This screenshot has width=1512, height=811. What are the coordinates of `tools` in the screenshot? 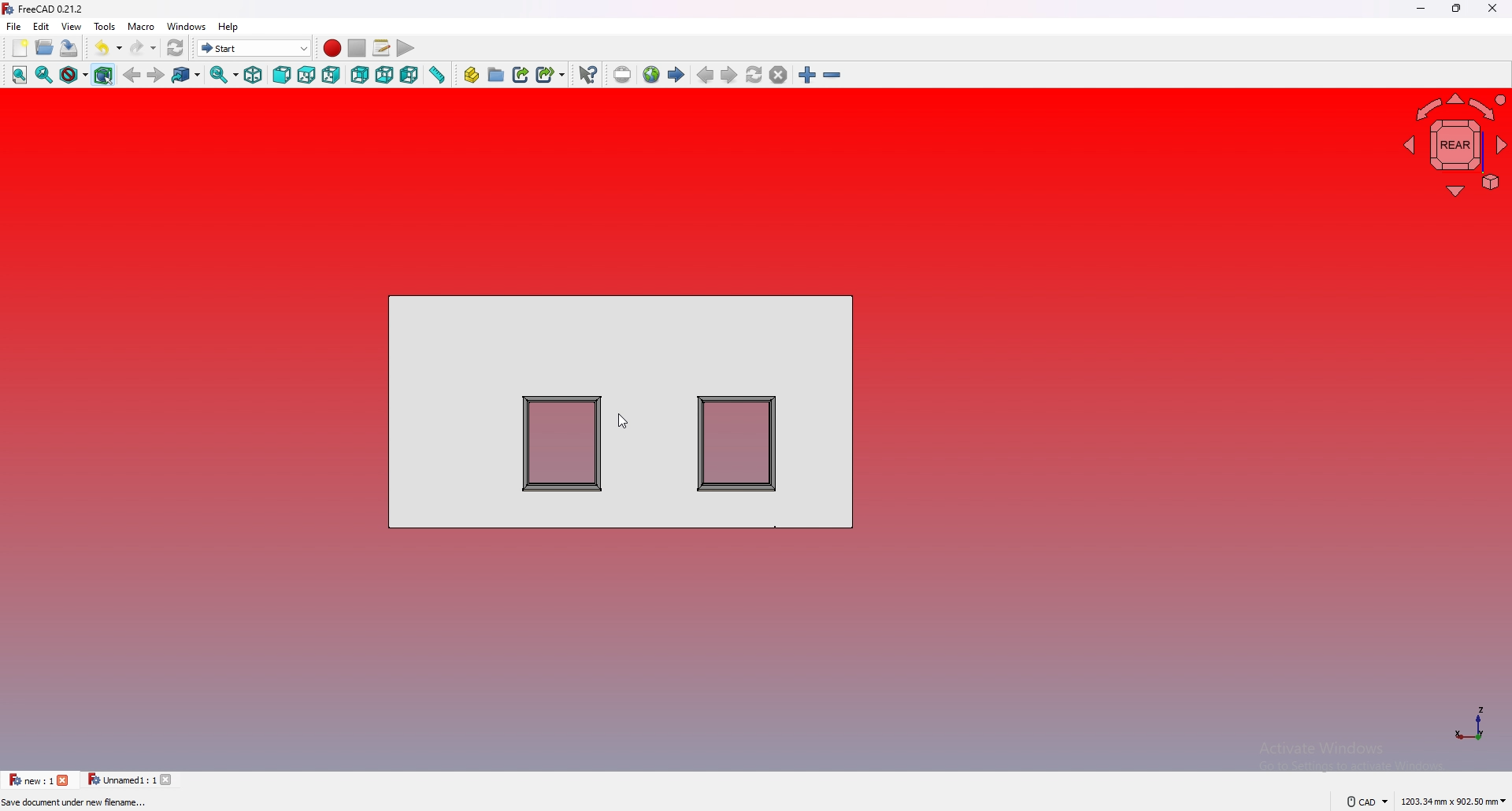 It's located at (104, 25).